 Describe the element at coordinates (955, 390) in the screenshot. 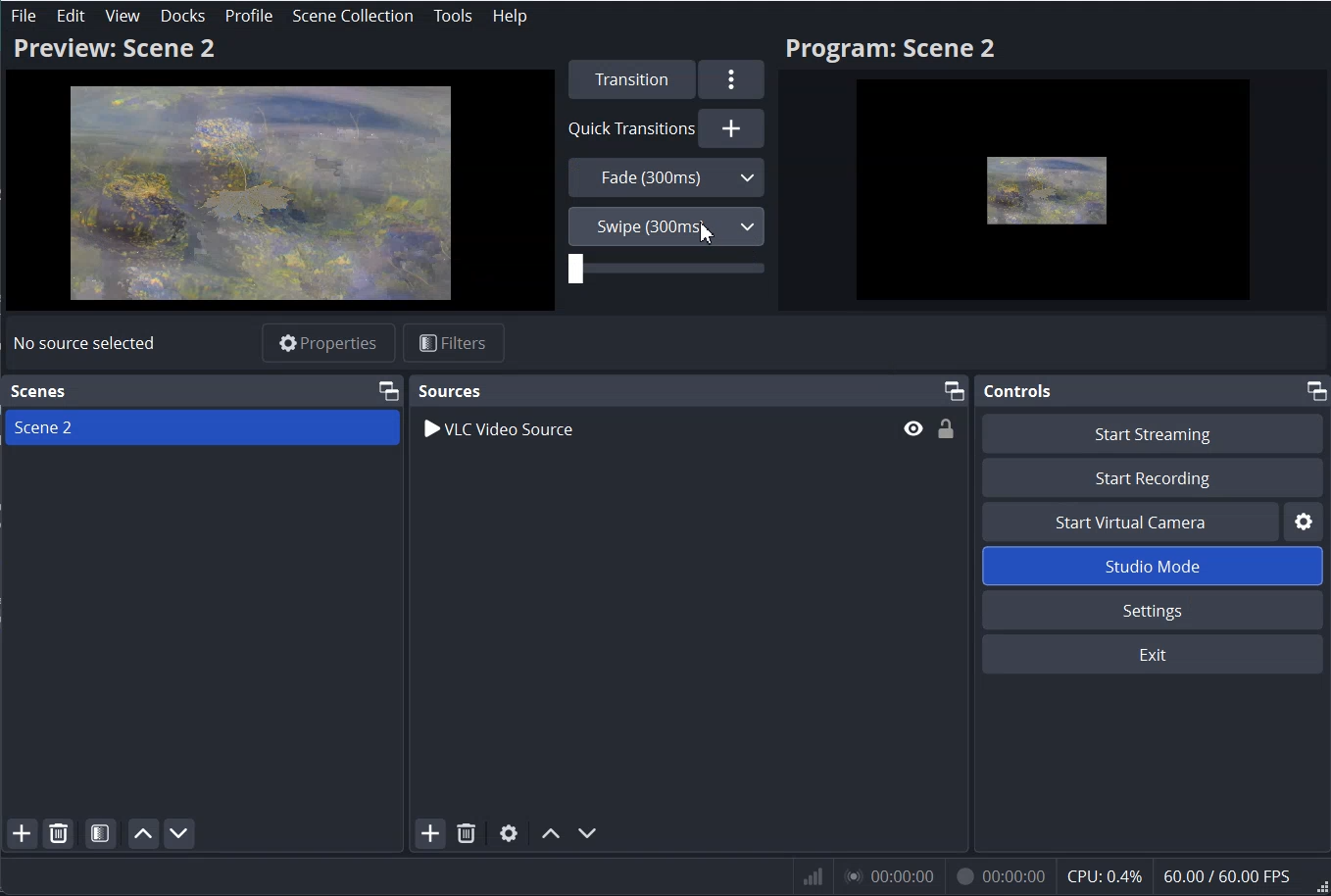

I see `Maximize` at that location.